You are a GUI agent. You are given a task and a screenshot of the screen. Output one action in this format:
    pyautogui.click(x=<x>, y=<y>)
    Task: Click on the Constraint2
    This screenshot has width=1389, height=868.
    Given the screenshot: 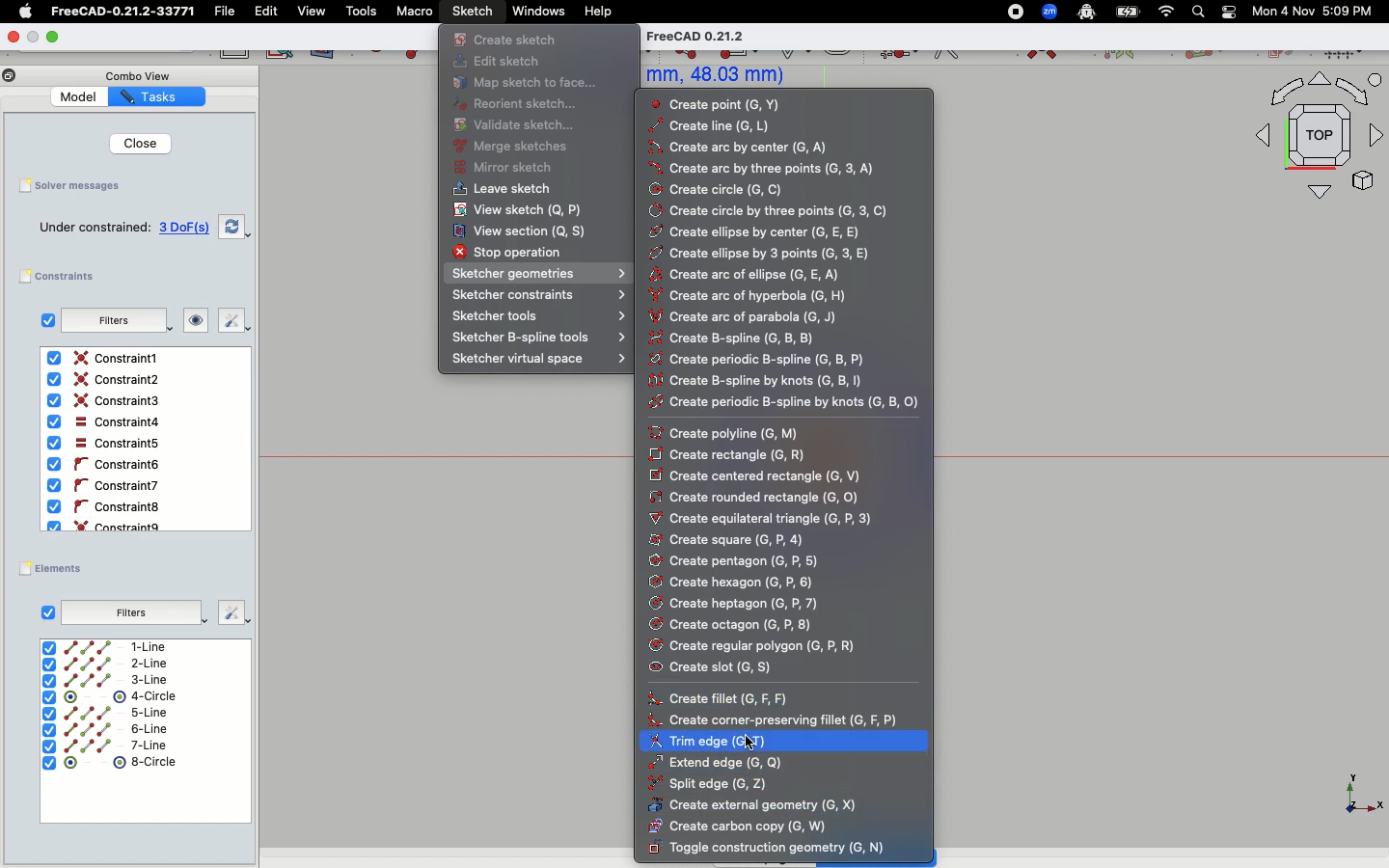 What is the action you would take?
    pyautogui.click(x=108, y=380)
    